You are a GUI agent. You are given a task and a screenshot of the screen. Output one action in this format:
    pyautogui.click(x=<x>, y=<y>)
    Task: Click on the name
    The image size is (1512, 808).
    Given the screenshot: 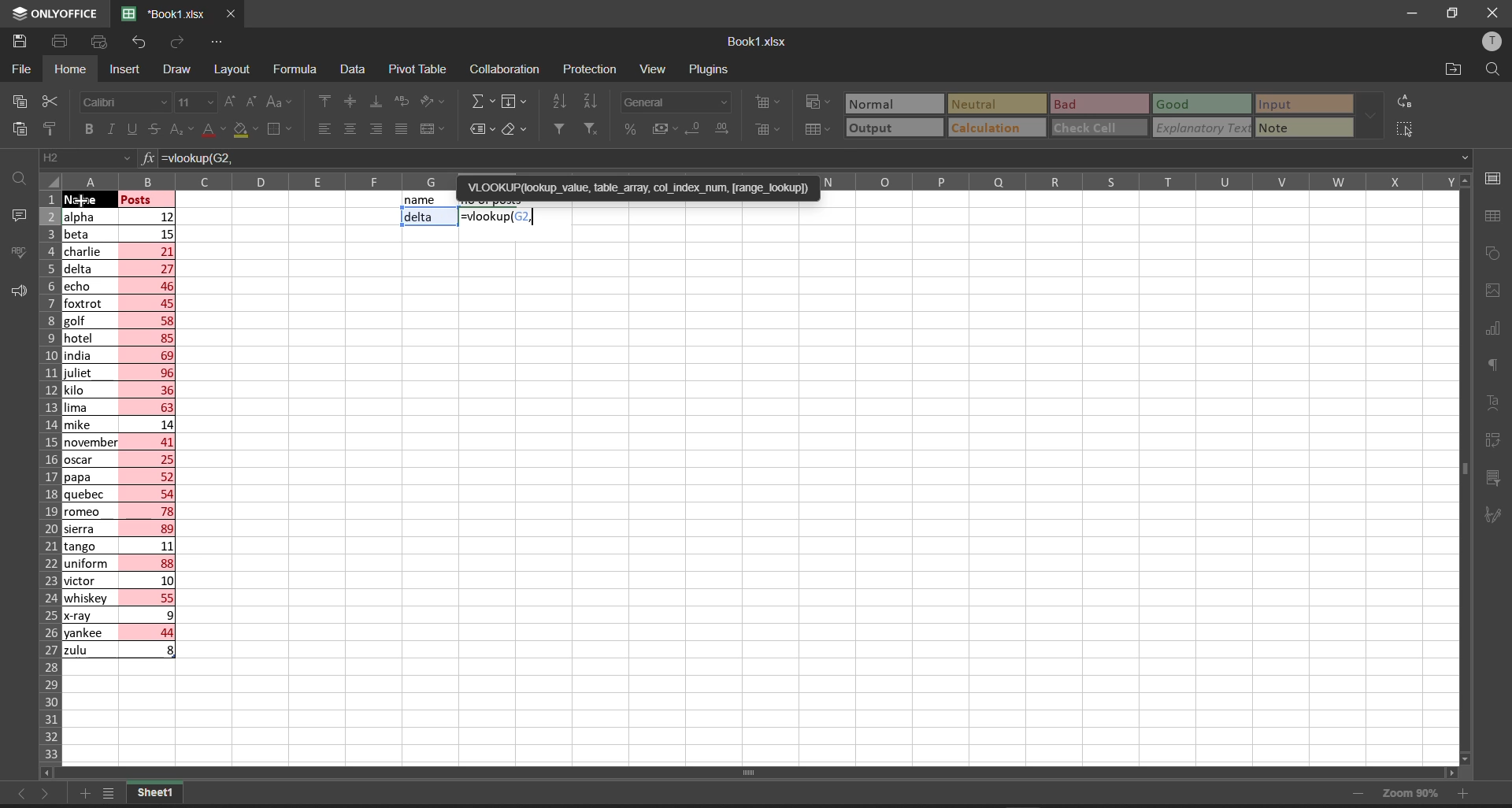 What is the action you would take?
    pyautogui.click(x=421, y=200)
    